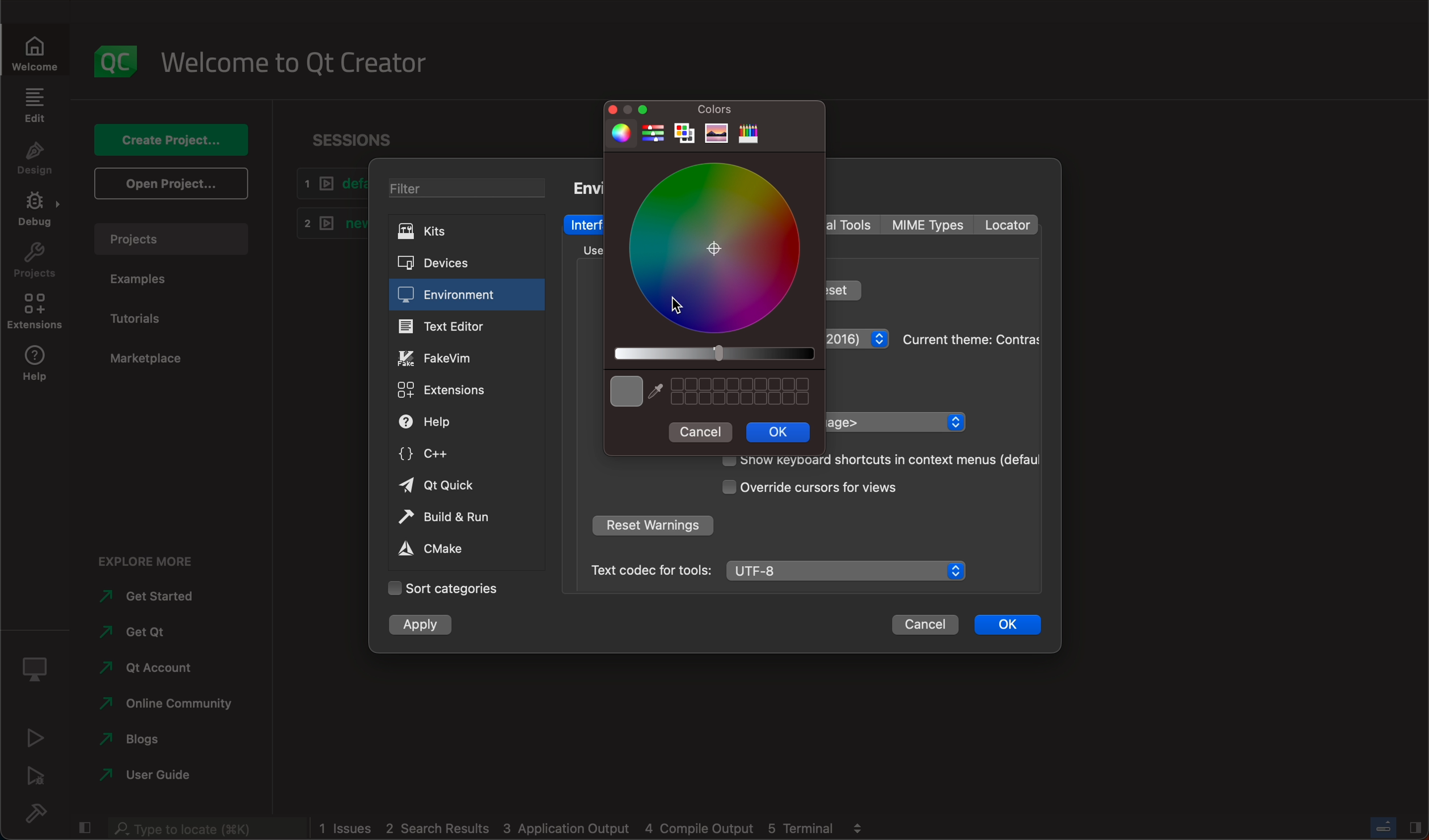 This screenshot has width=1429, height=840. What do you see at coordinates (458, 422) in the screenshot?
I see `help` at bounding box center [458, 422].